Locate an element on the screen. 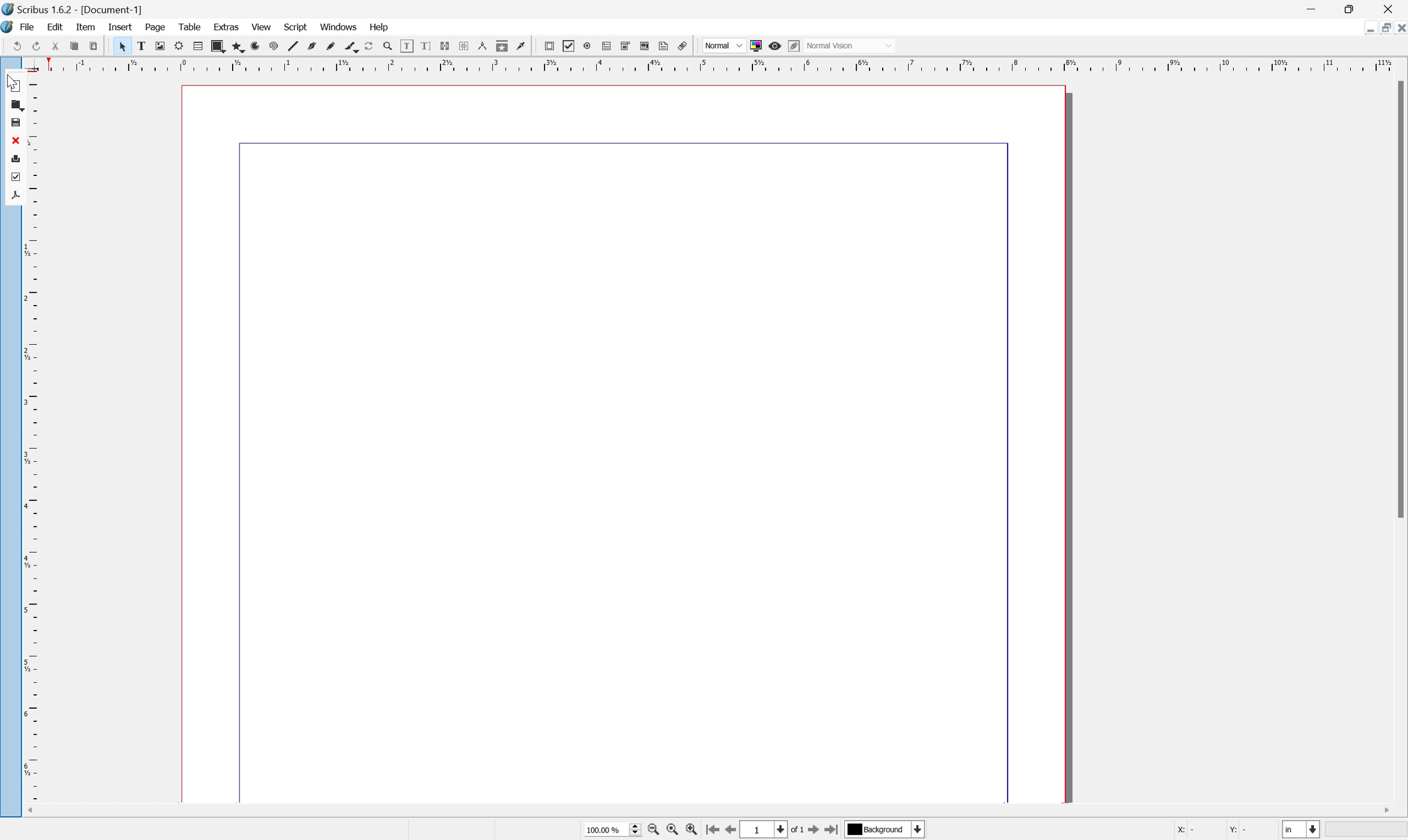 The height and width of the screenshot is (840, 1408). render frame is located at coordinates (313, 46).